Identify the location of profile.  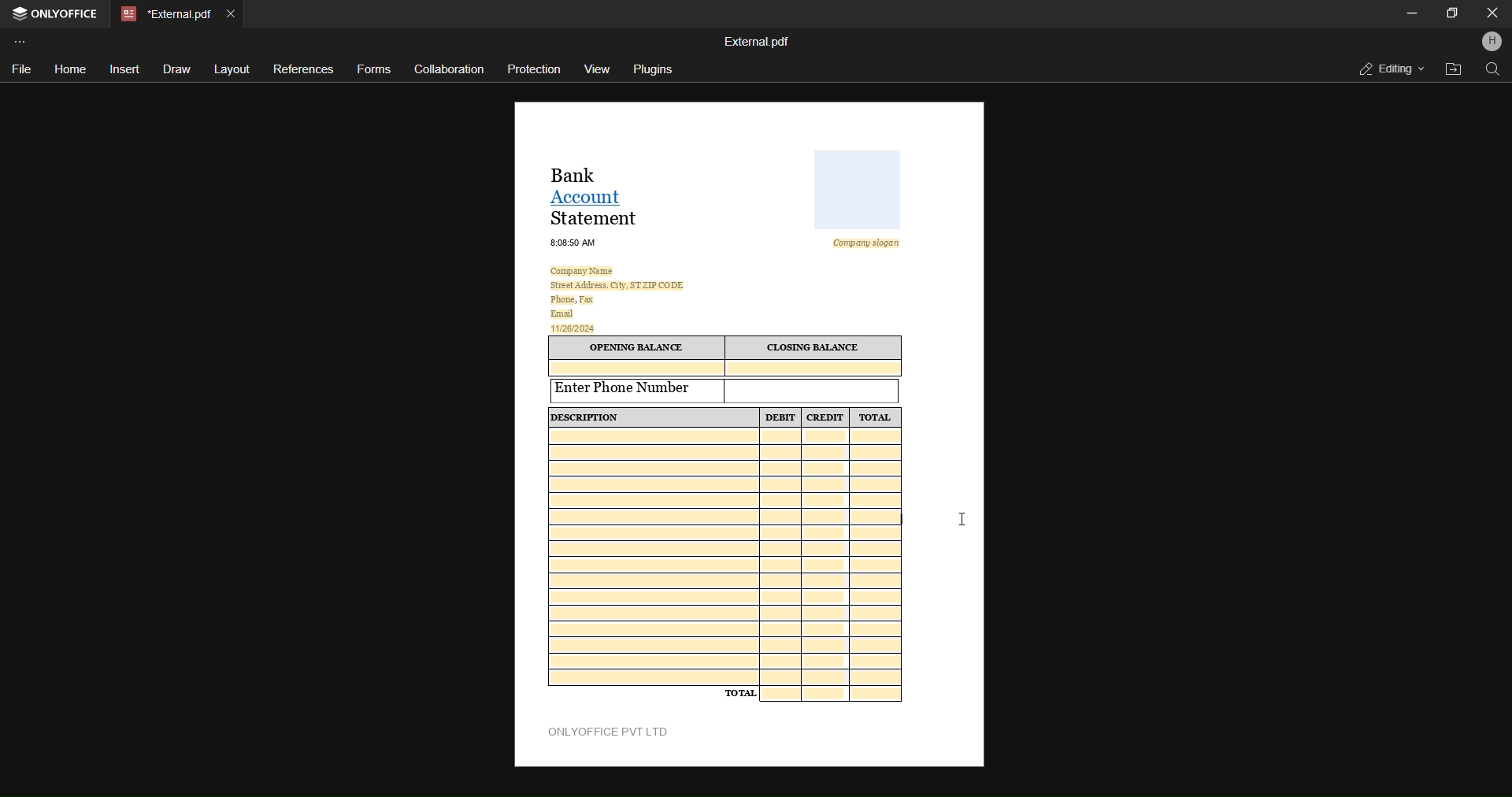
(1492, 43).